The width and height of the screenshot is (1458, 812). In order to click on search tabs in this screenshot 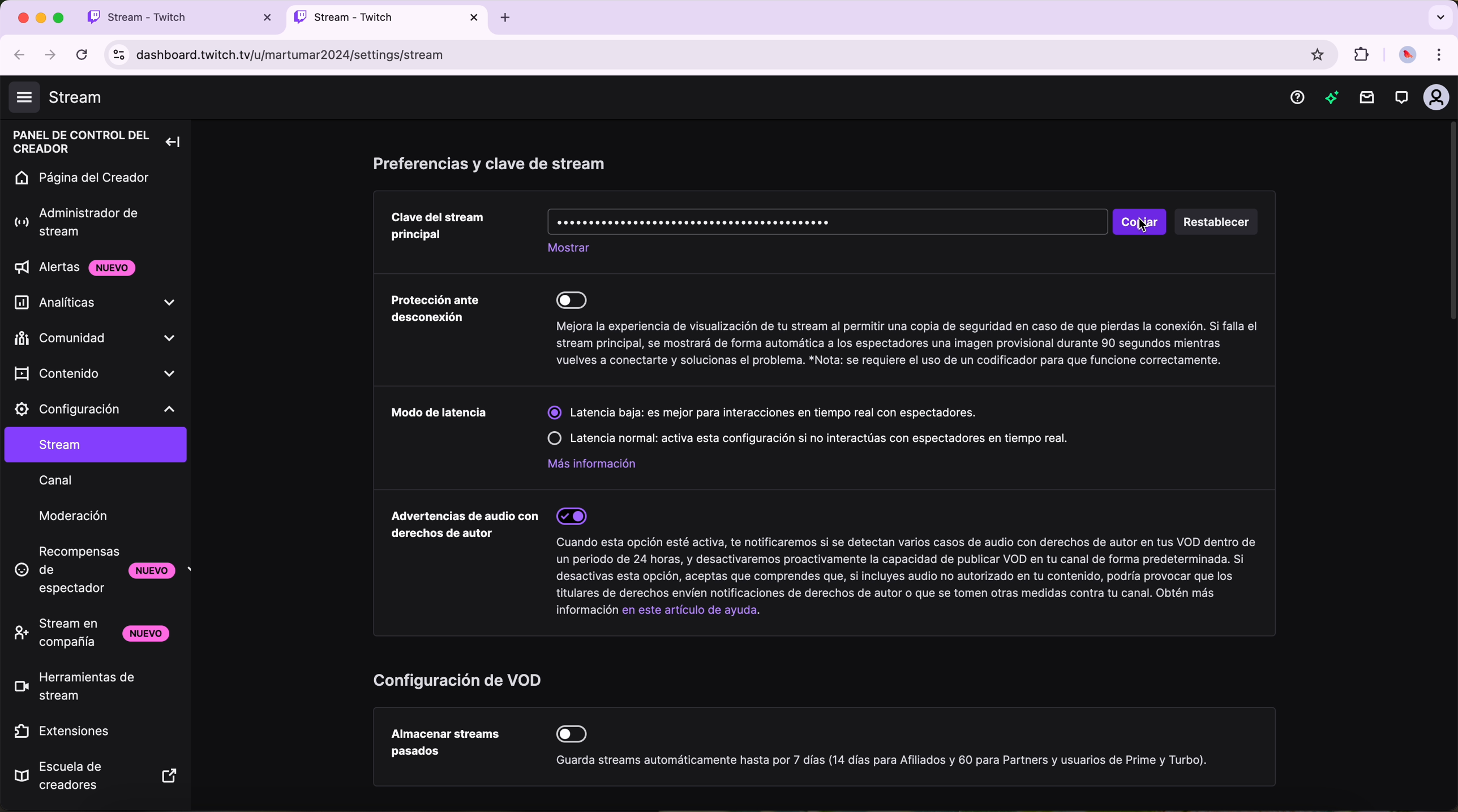, I will do `click(1440, 18)`.